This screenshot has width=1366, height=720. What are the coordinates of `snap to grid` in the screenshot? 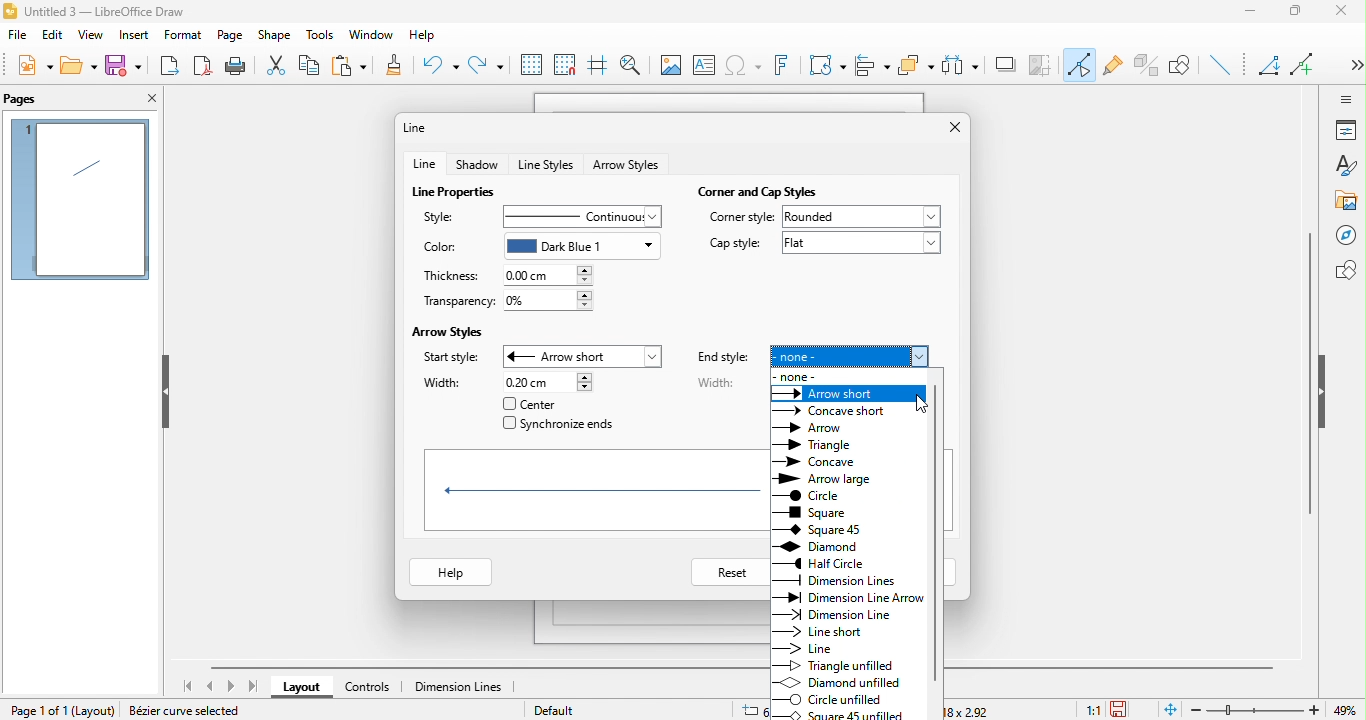 It's located at (564, 65).